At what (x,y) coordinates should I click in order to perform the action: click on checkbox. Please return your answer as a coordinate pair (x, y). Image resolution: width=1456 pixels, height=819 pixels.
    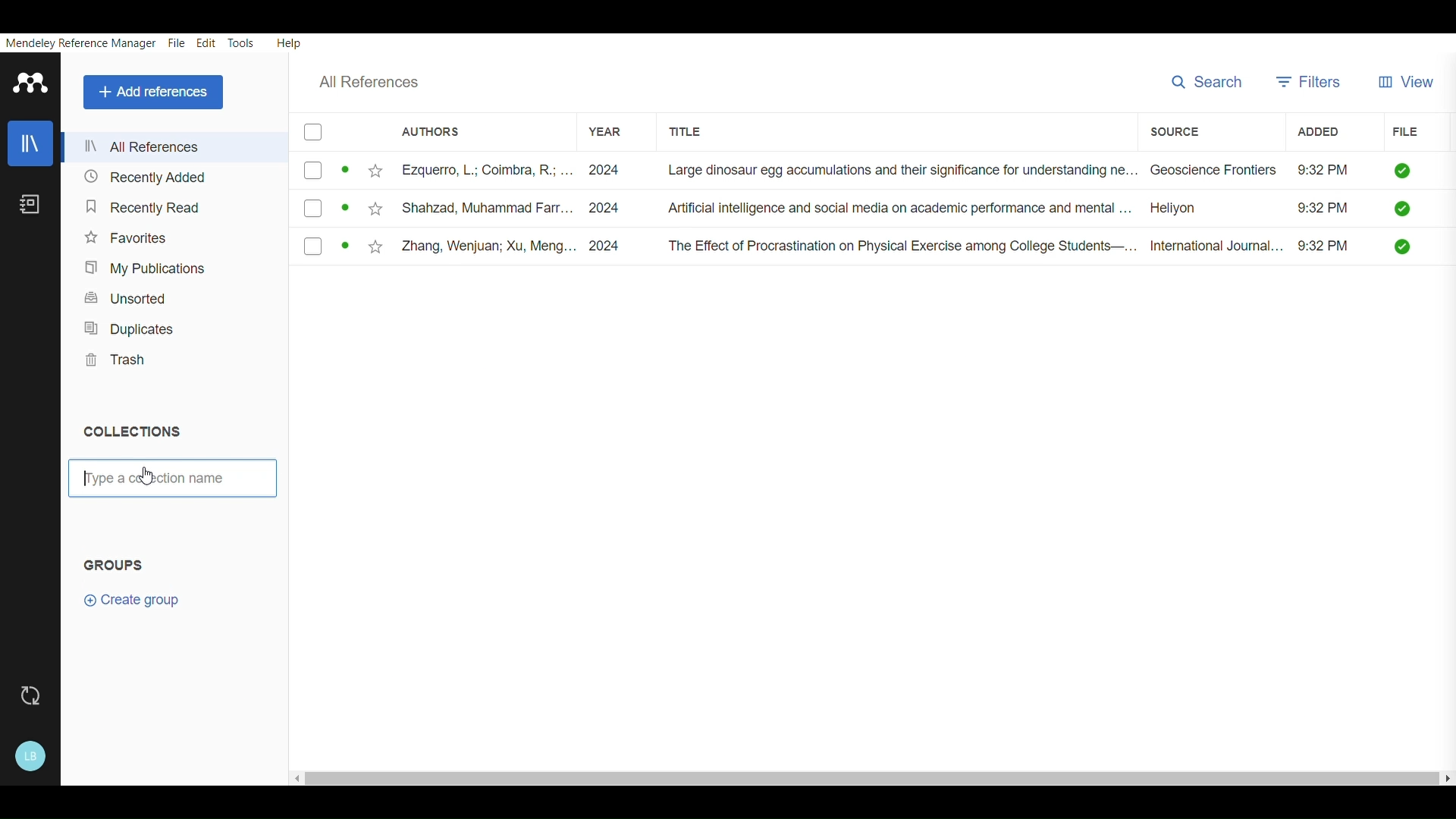
    Looking at the image, I should click on (317, 133).